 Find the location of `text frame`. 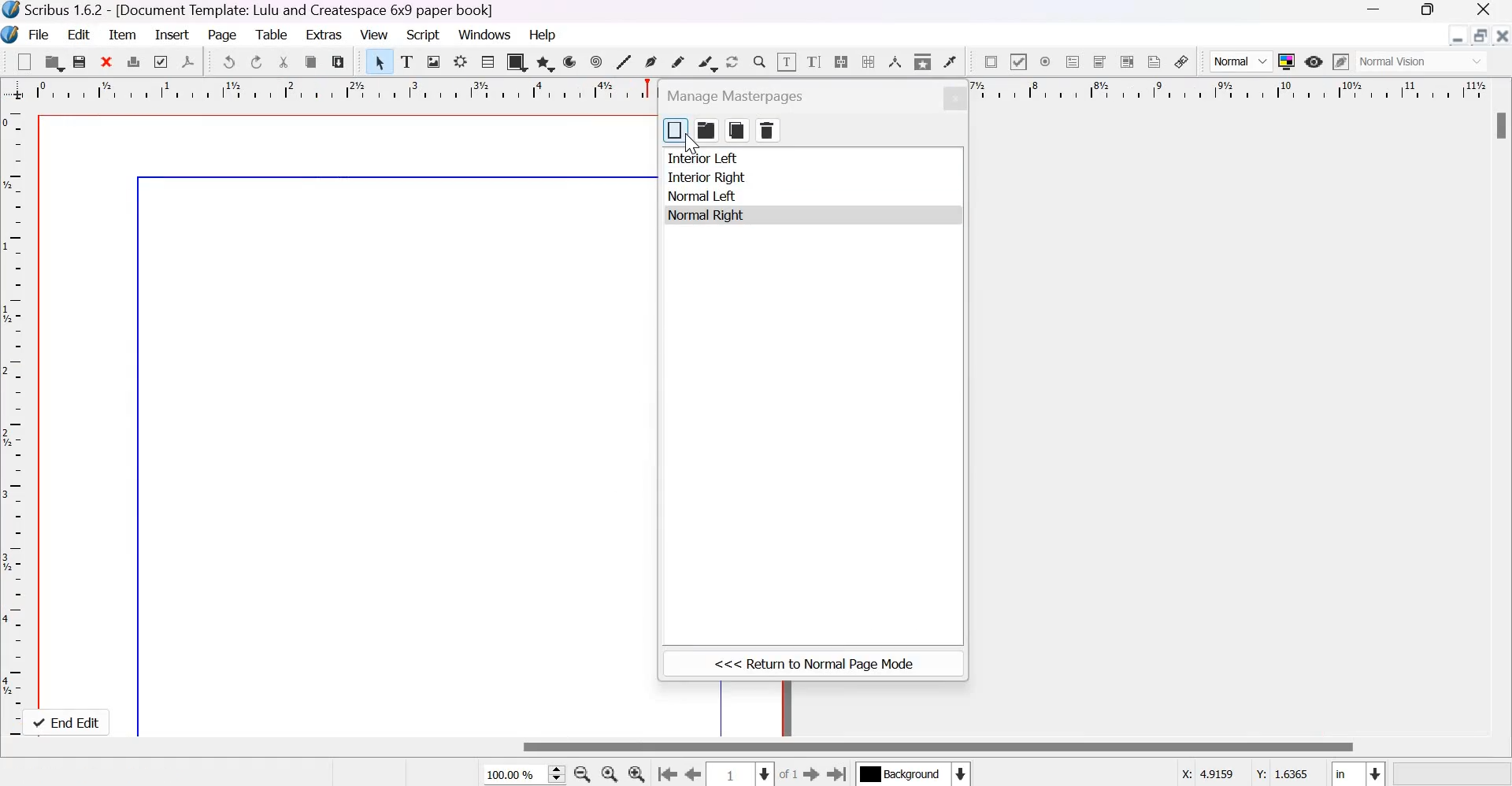

text frame is located at coordinates (407, 62).